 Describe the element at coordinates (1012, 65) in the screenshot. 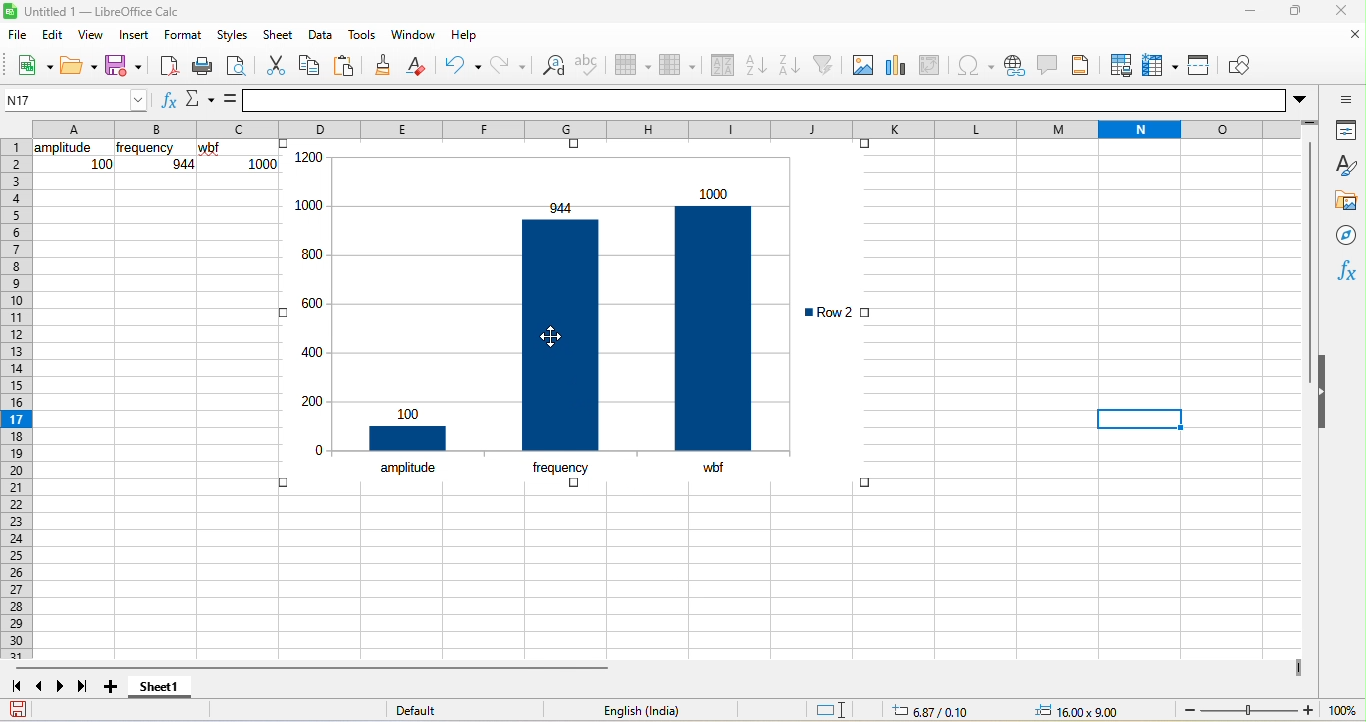

I see `hyperlink` at that location.